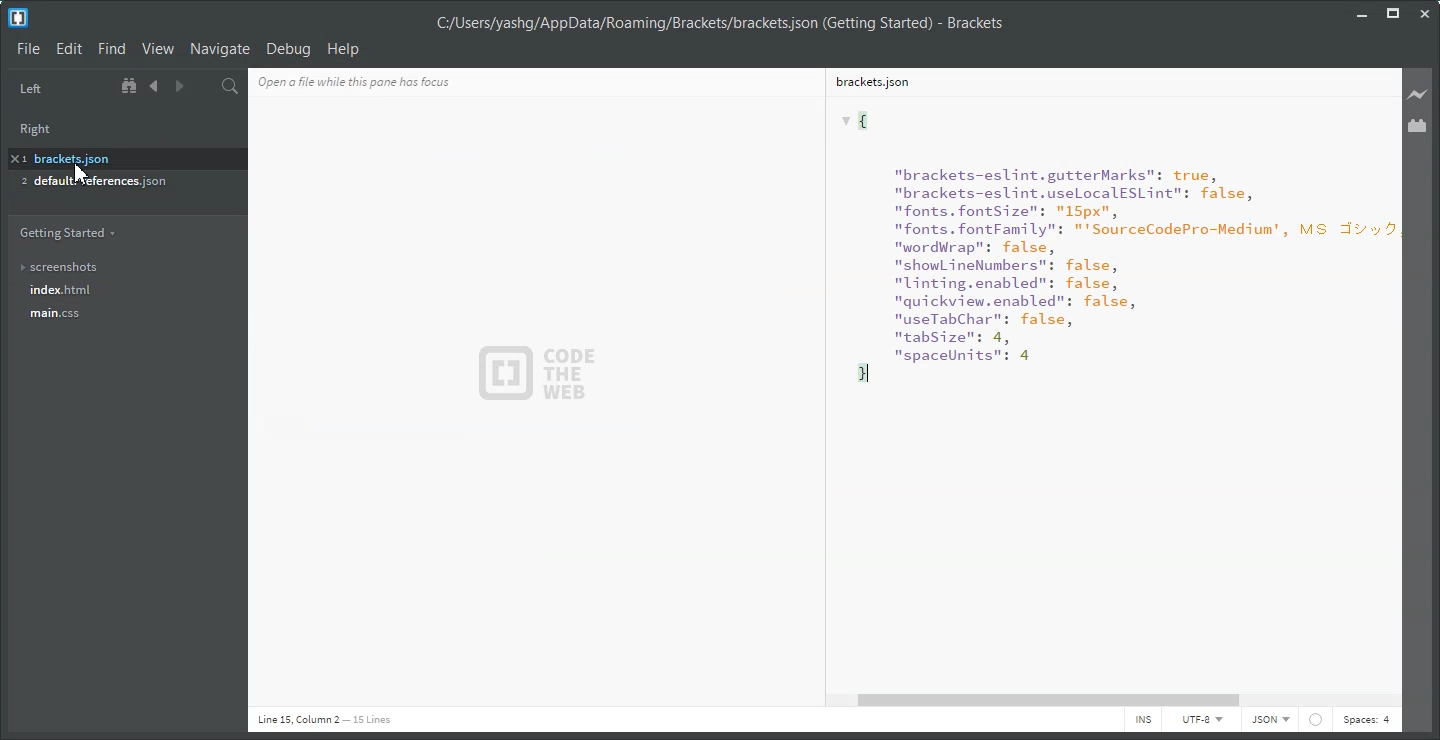 This screenshot has width=1440, height=740. I want to click on View, so click(157, 49).